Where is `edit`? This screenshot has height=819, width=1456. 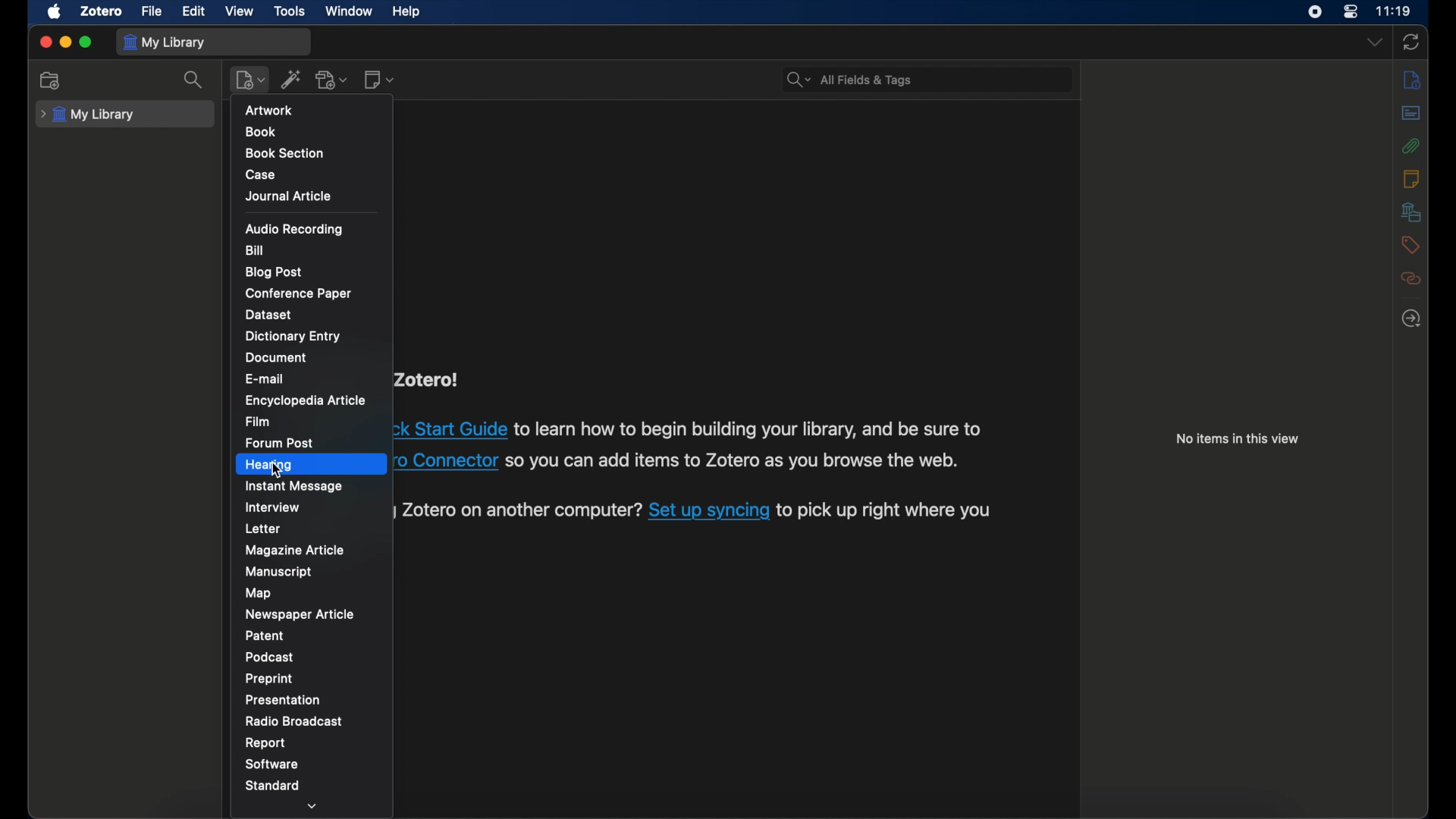
edit is located at coordinates (193, 12).